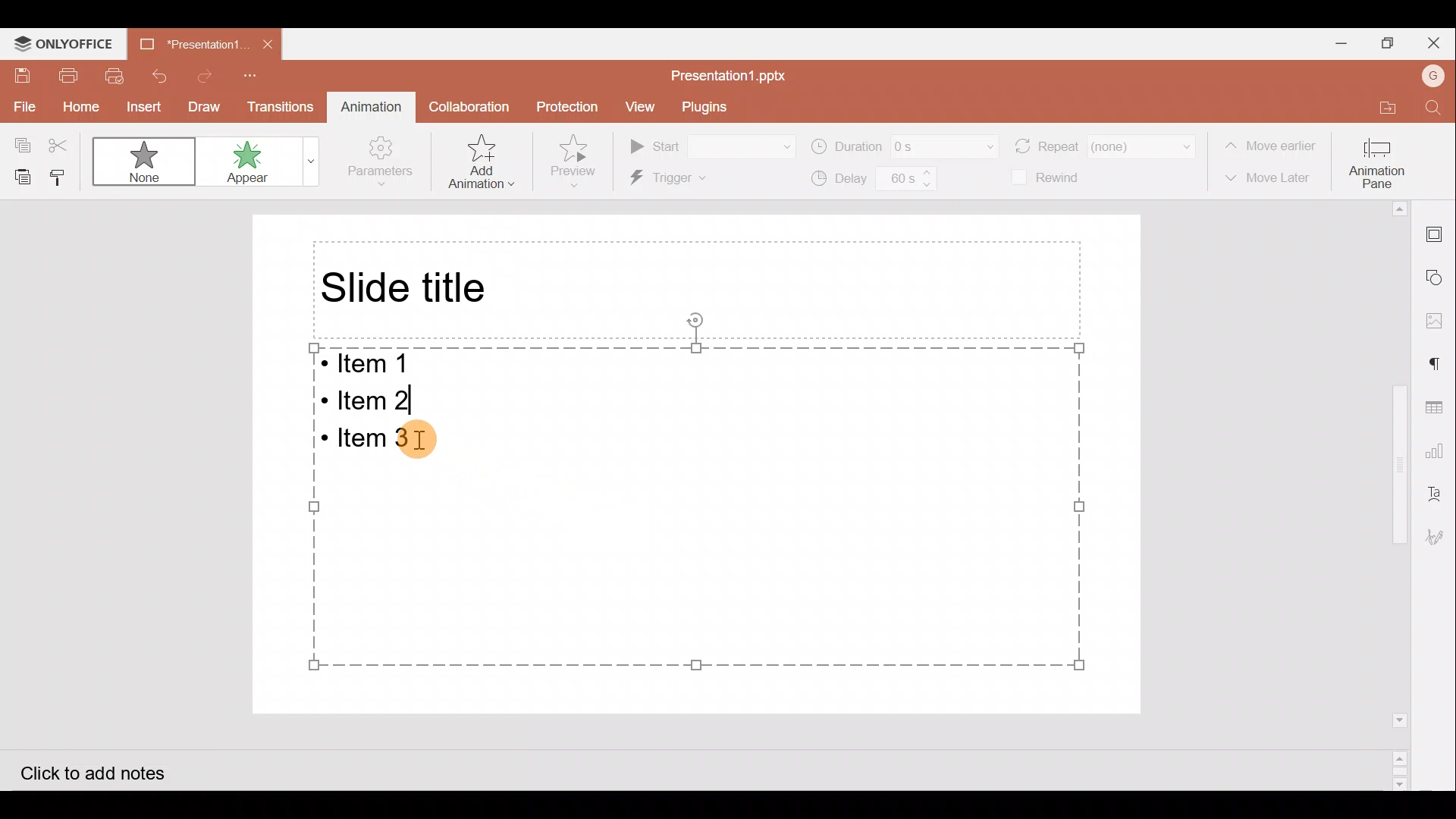  Describe the element at coordinates (375, 398) in the screenshot. I see `Bulleted Item 2 on the presentation slide` at that location.